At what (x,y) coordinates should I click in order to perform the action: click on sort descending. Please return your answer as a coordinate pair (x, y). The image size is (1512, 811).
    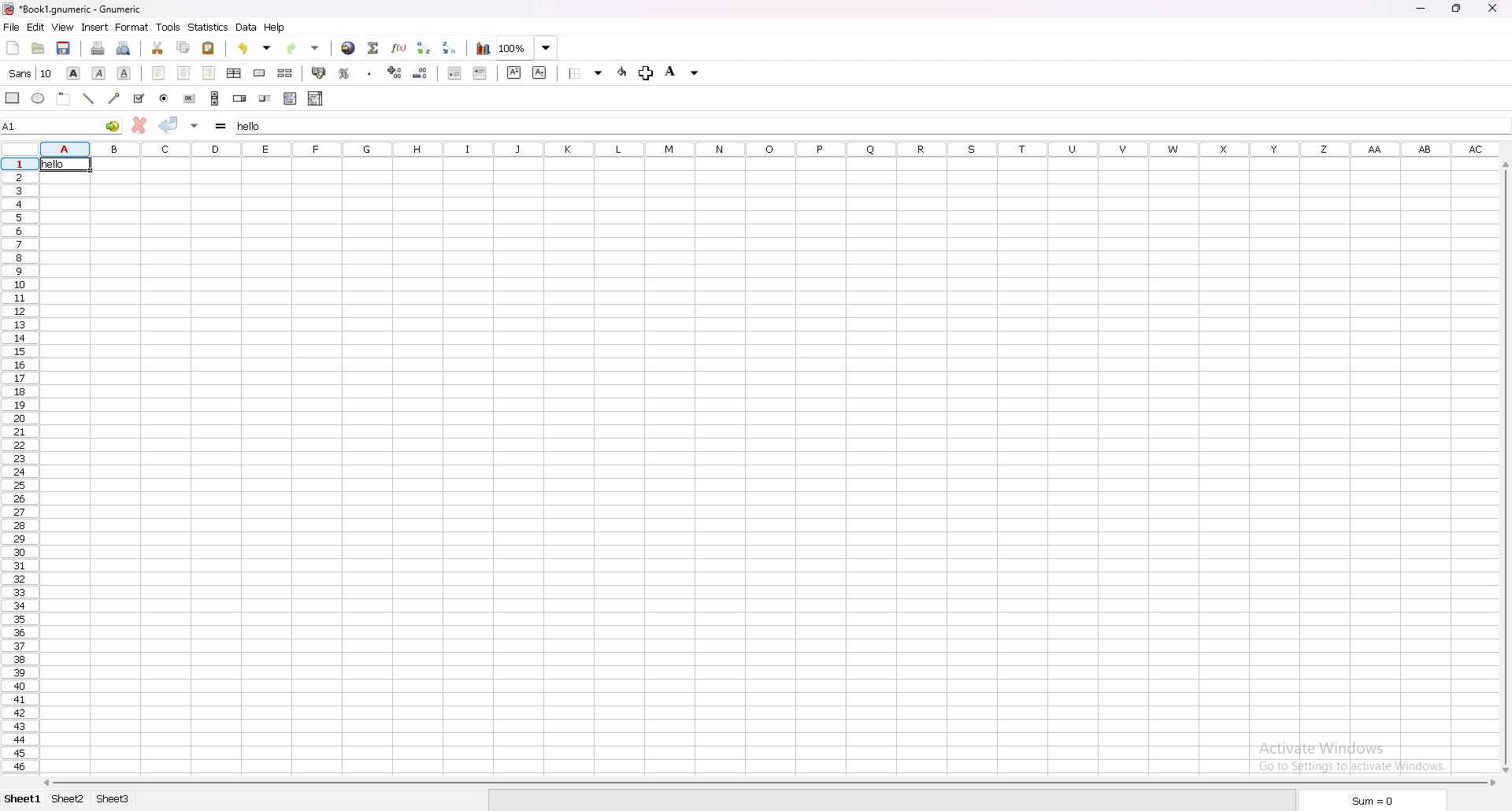
    Looking at the image, I should click on (450, 48).